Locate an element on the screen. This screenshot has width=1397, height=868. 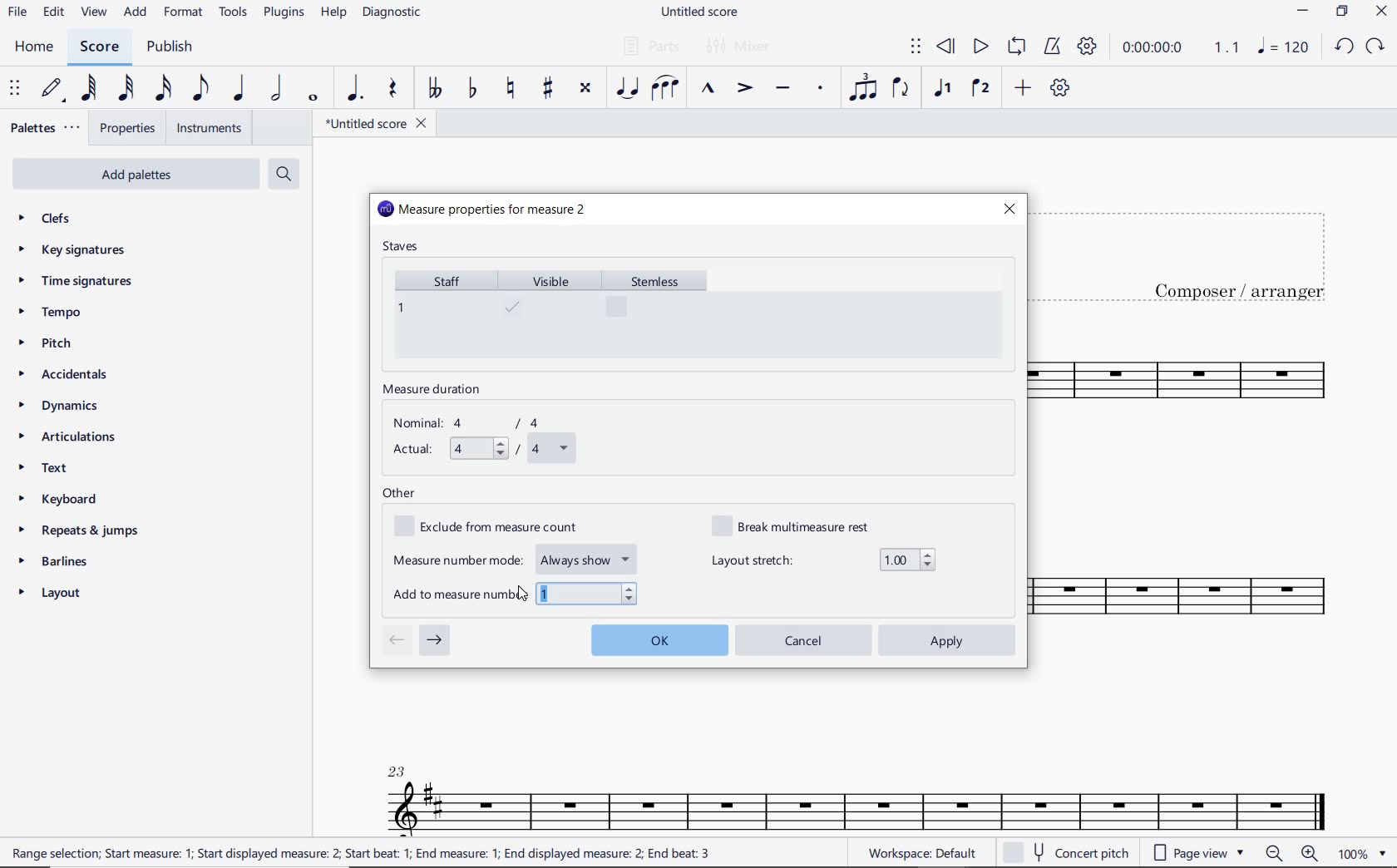
PLAYBACK SETTINGS is located at coordinates (1087, 47).